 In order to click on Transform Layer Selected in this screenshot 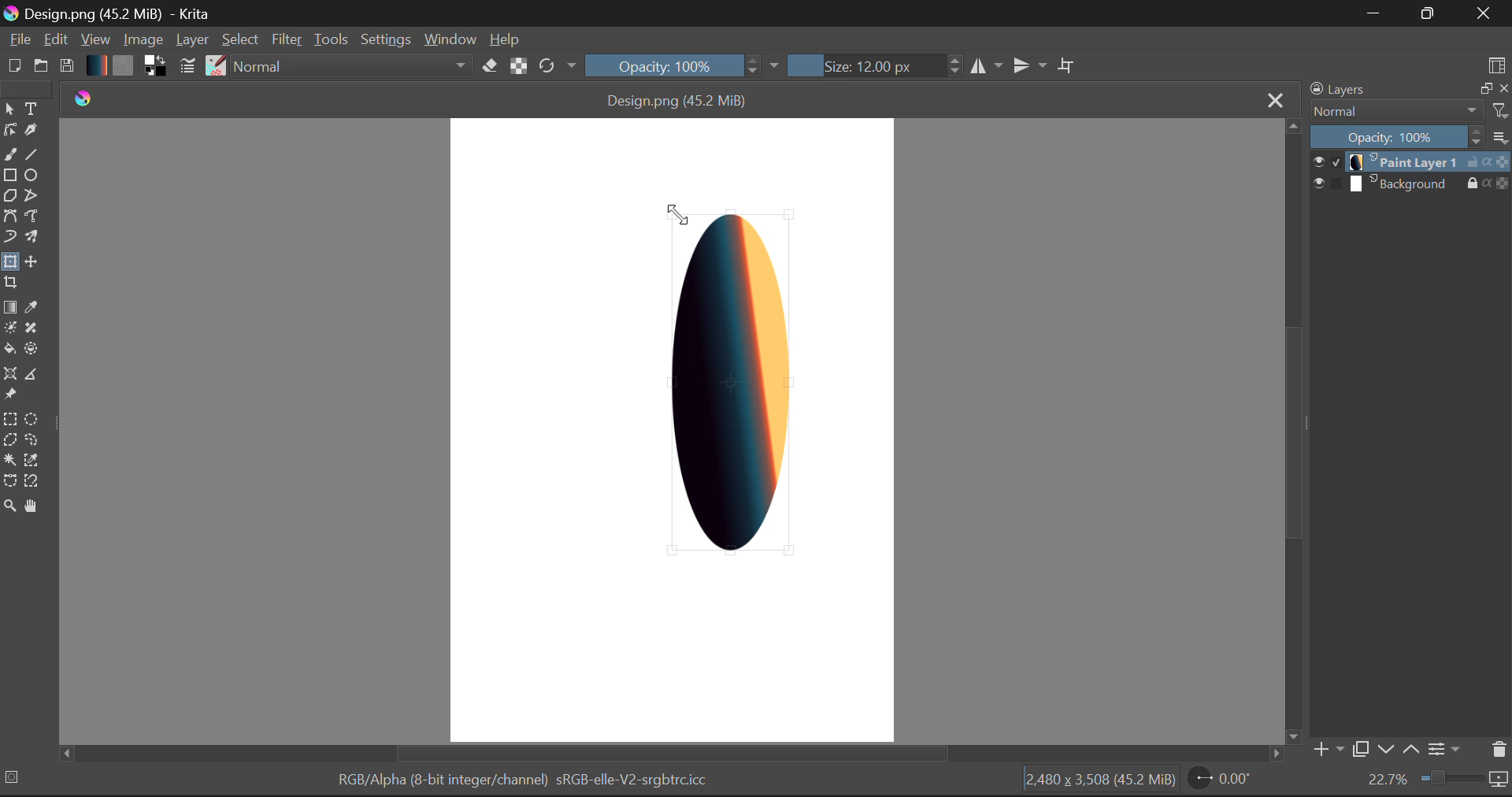, I will do `click(9, 263)`.